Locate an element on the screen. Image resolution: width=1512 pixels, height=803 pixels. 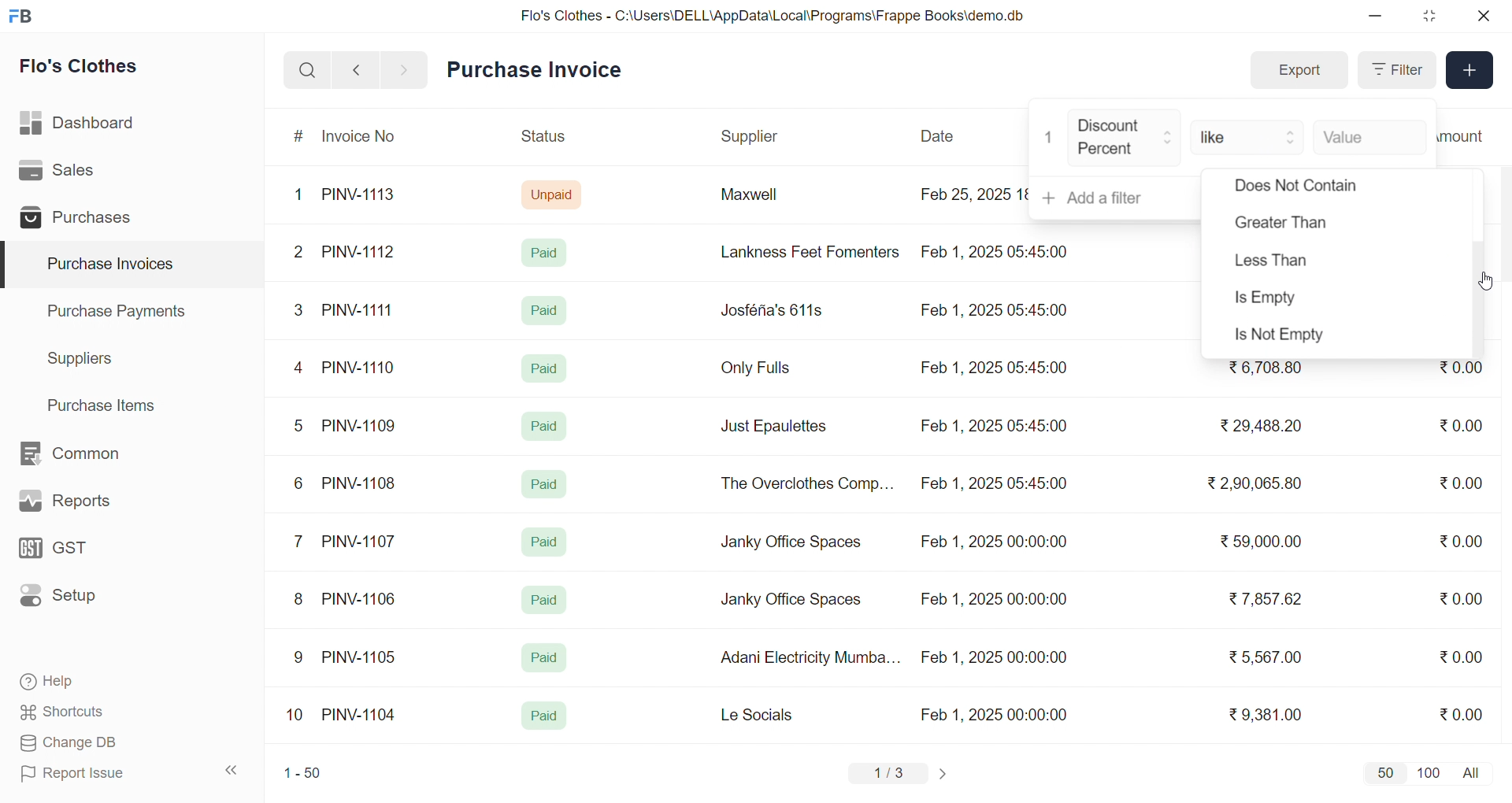
1 is located at coordinates (302, 195).